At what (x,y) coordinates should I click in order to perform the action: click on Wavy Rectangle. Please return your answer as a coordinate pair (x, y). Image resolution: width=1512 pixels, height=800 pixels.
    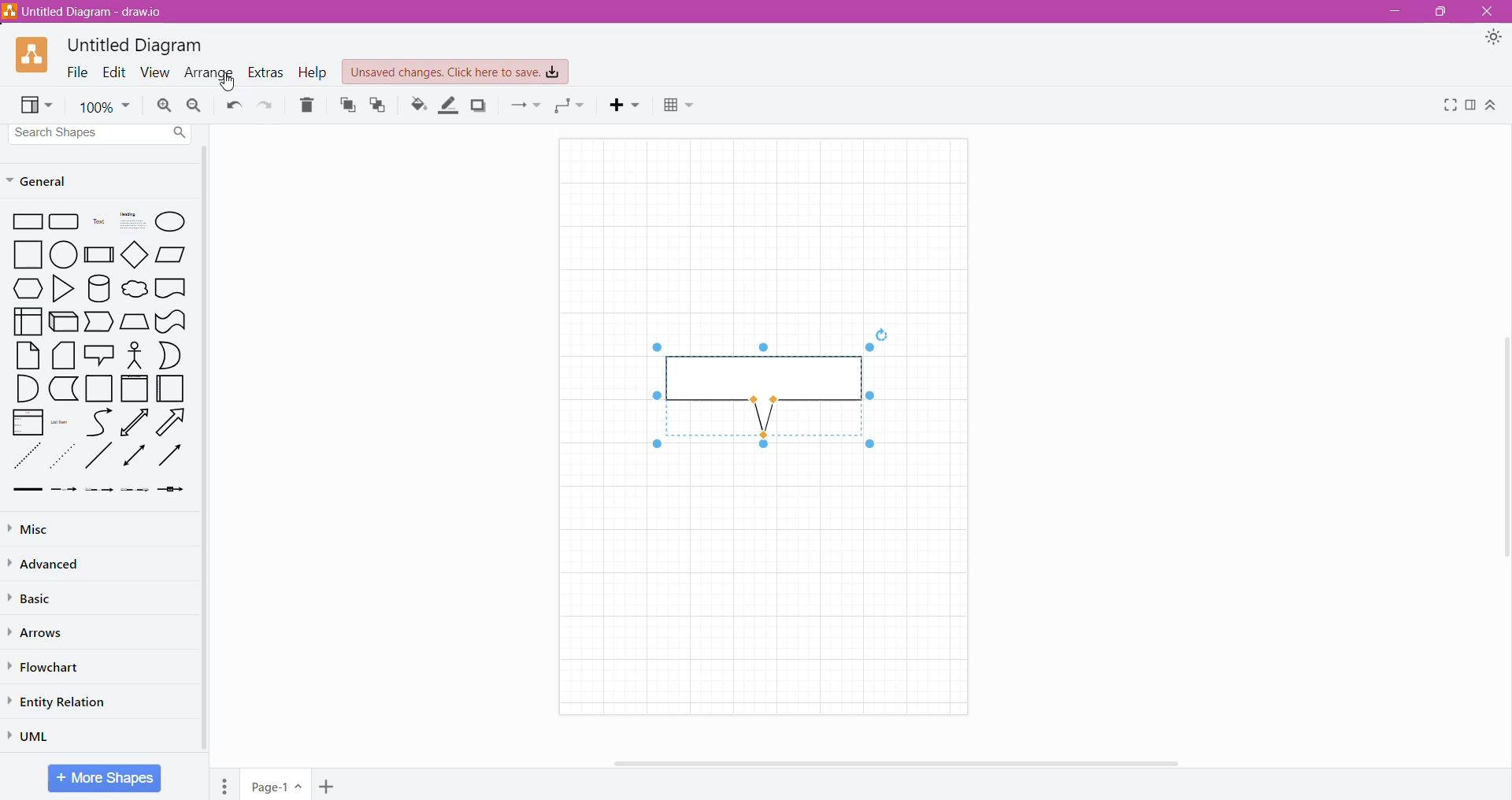
    Looking at the image, I should click on (171, 321).